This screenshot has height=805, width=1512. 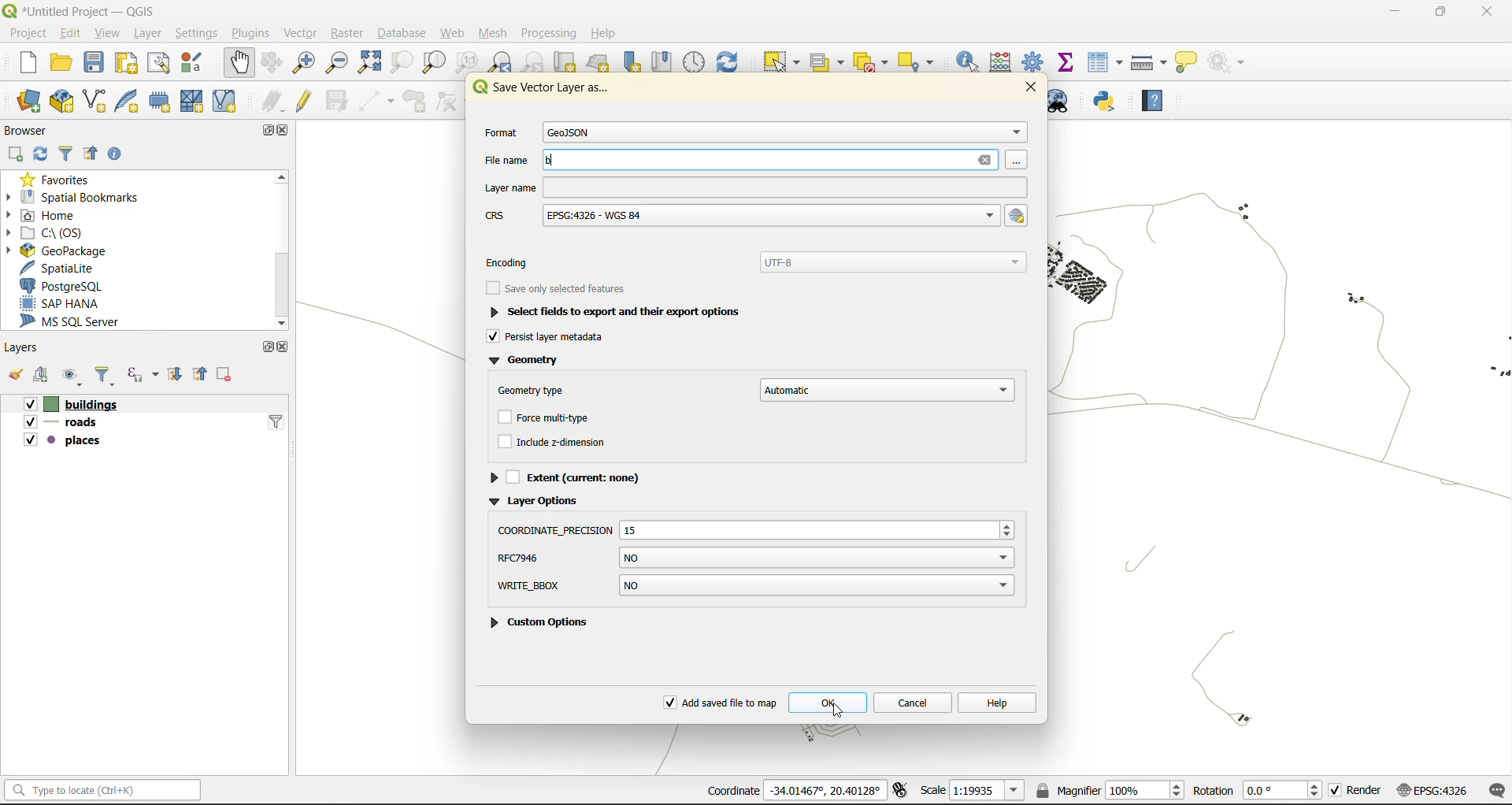 What do you see at coordinates (46, 217) in the screenshot?
I see `home` at bounding box center [46, 217].